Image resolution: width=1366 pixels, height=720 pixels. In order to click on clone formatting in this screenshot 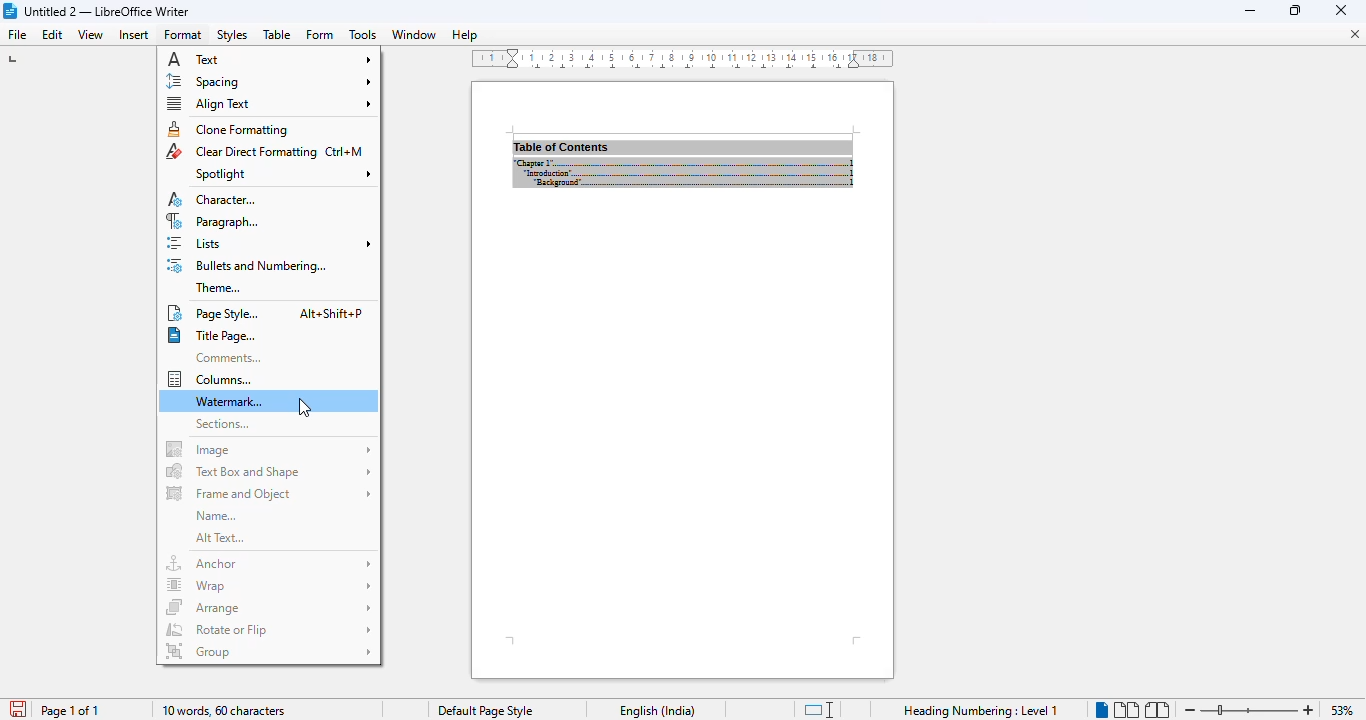, I will do `click(231, 129)`.